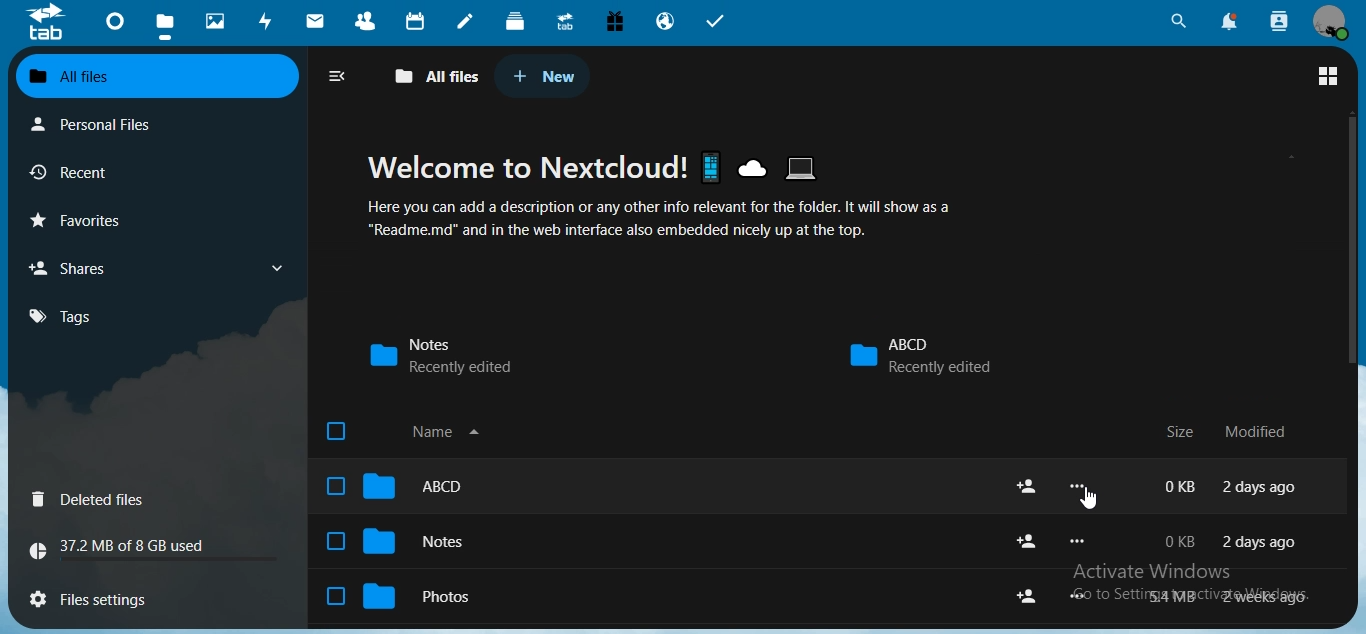 The height and width of the screenshot is (634, 1366). What do you see at coordinates (1026, 595) in the screenshot?
I see `share` at bounding box center [1026, 595].